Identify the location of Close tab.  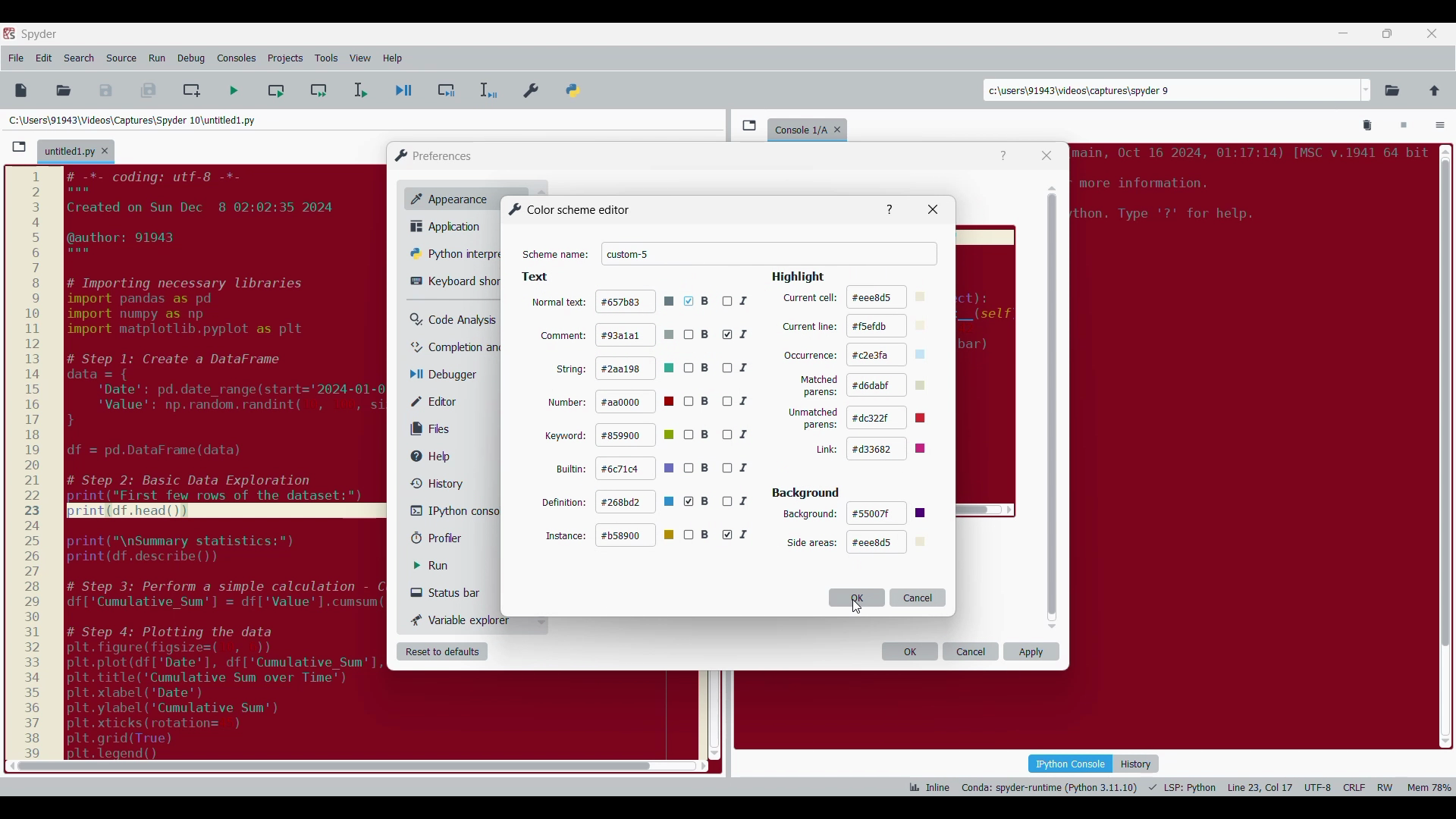
(1432, 33).